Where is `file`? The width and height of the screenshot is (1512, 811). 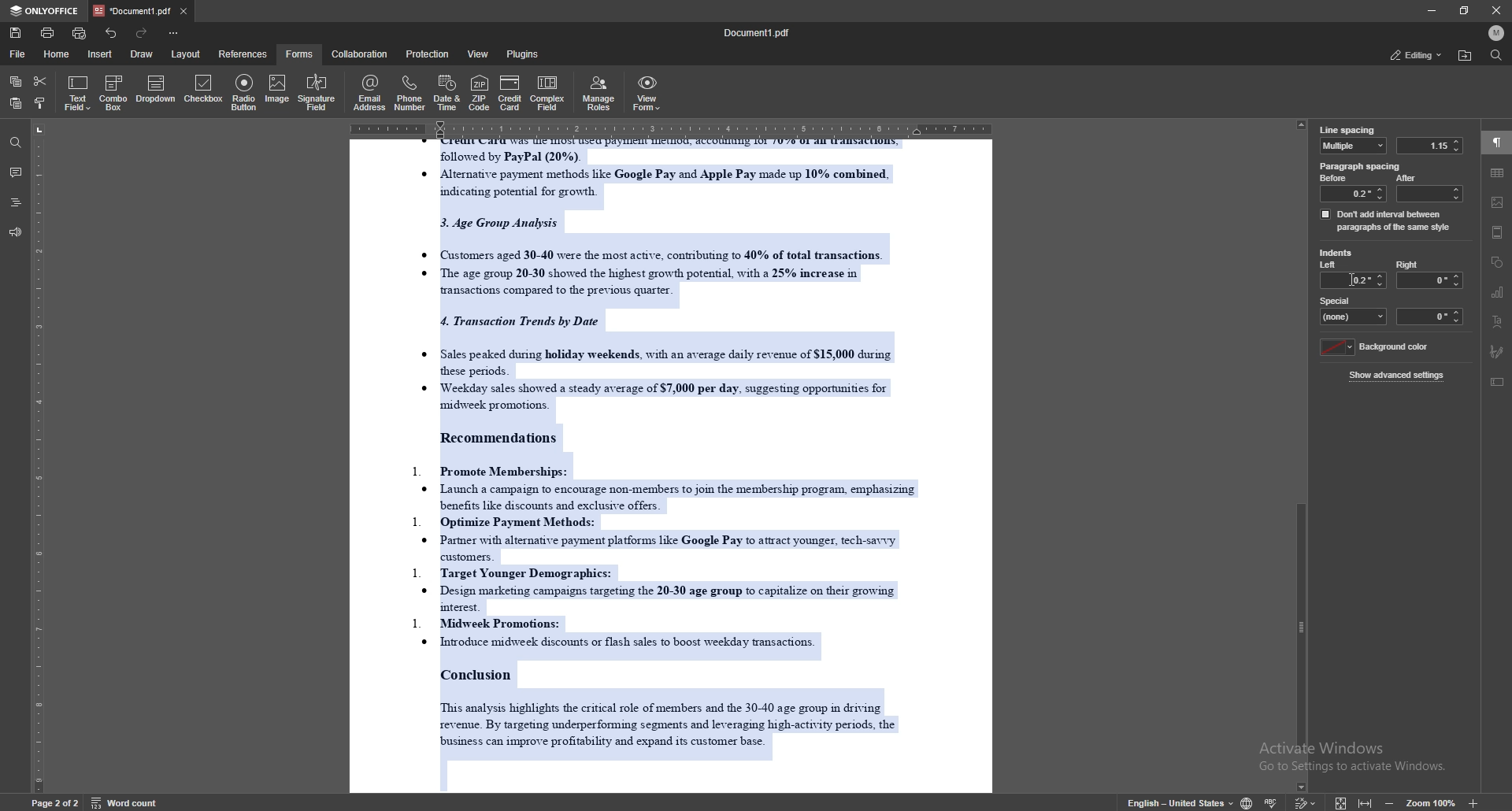 file is located at coordinates (18, 54).